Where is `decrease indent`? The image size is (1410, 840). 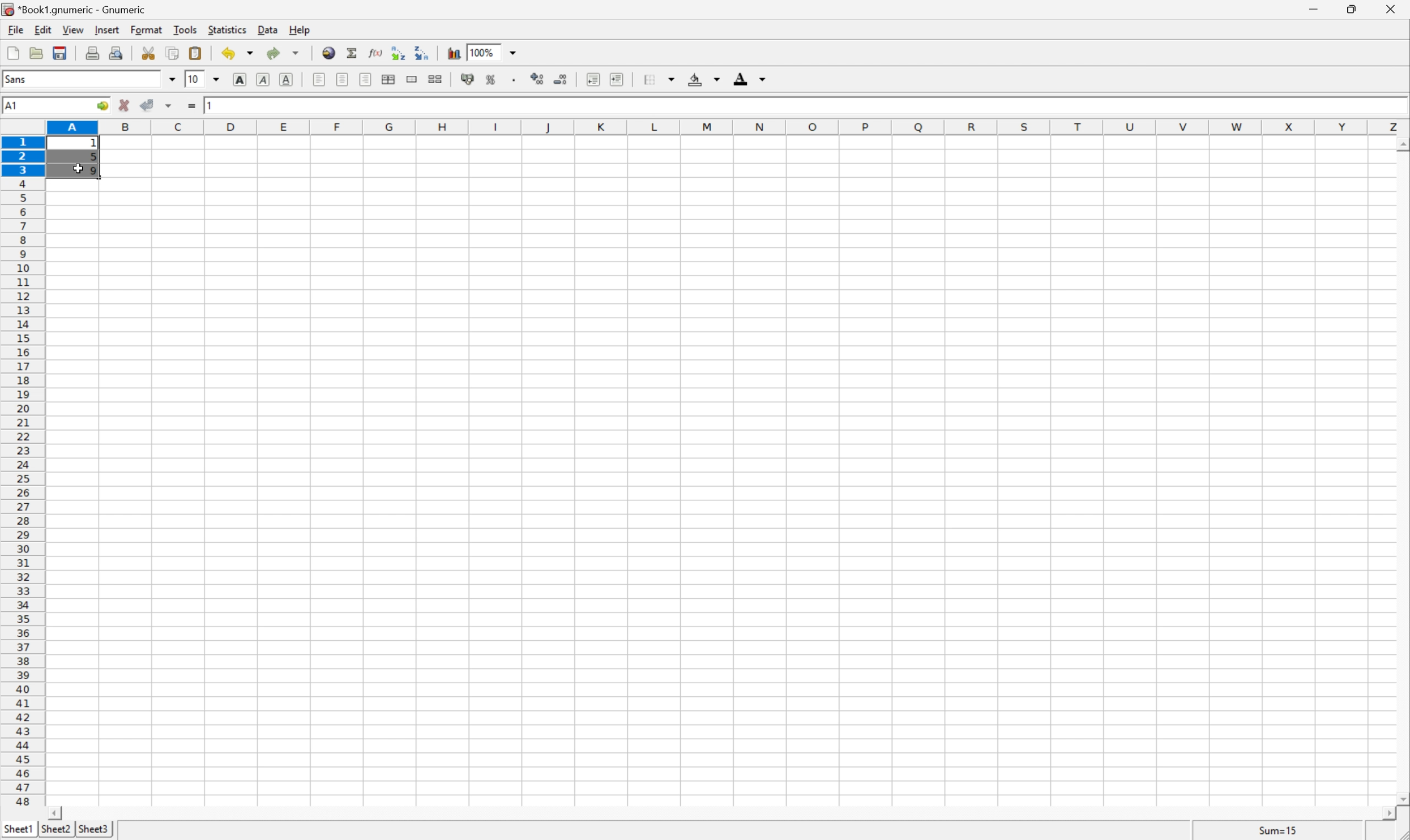
decrease indent is located at coordinates (594, 79).